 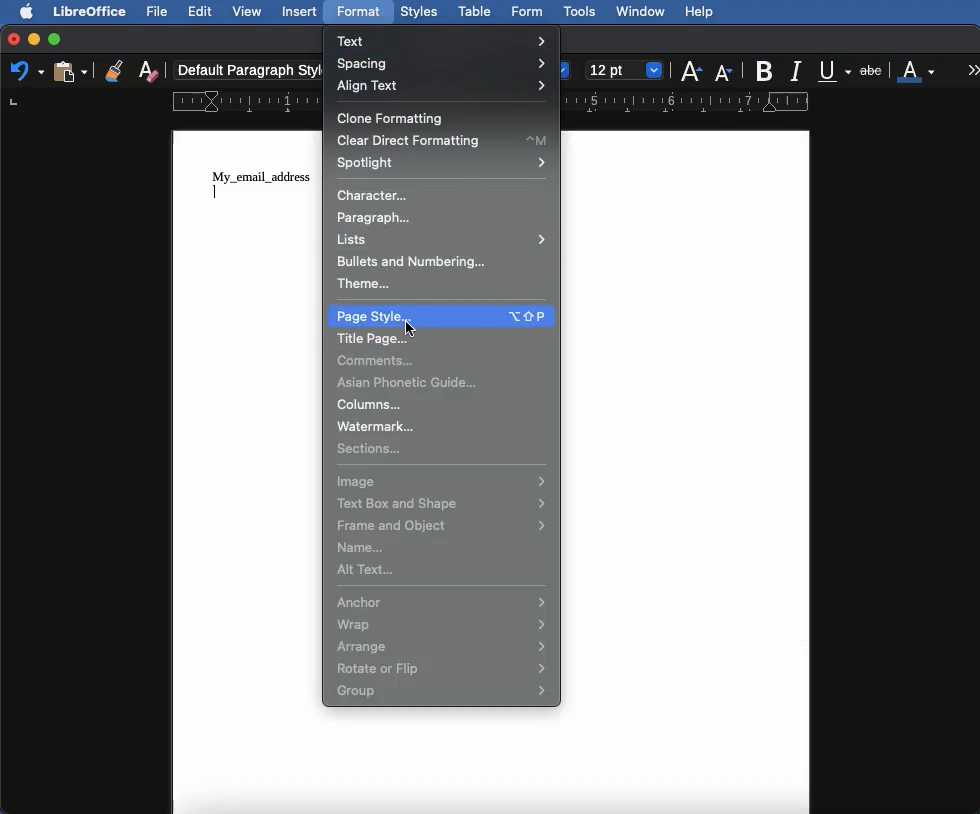 What do you see at coordinates (441, 525) in the screenshot?
I see `Frame and object` at bounding box center [441, 525].